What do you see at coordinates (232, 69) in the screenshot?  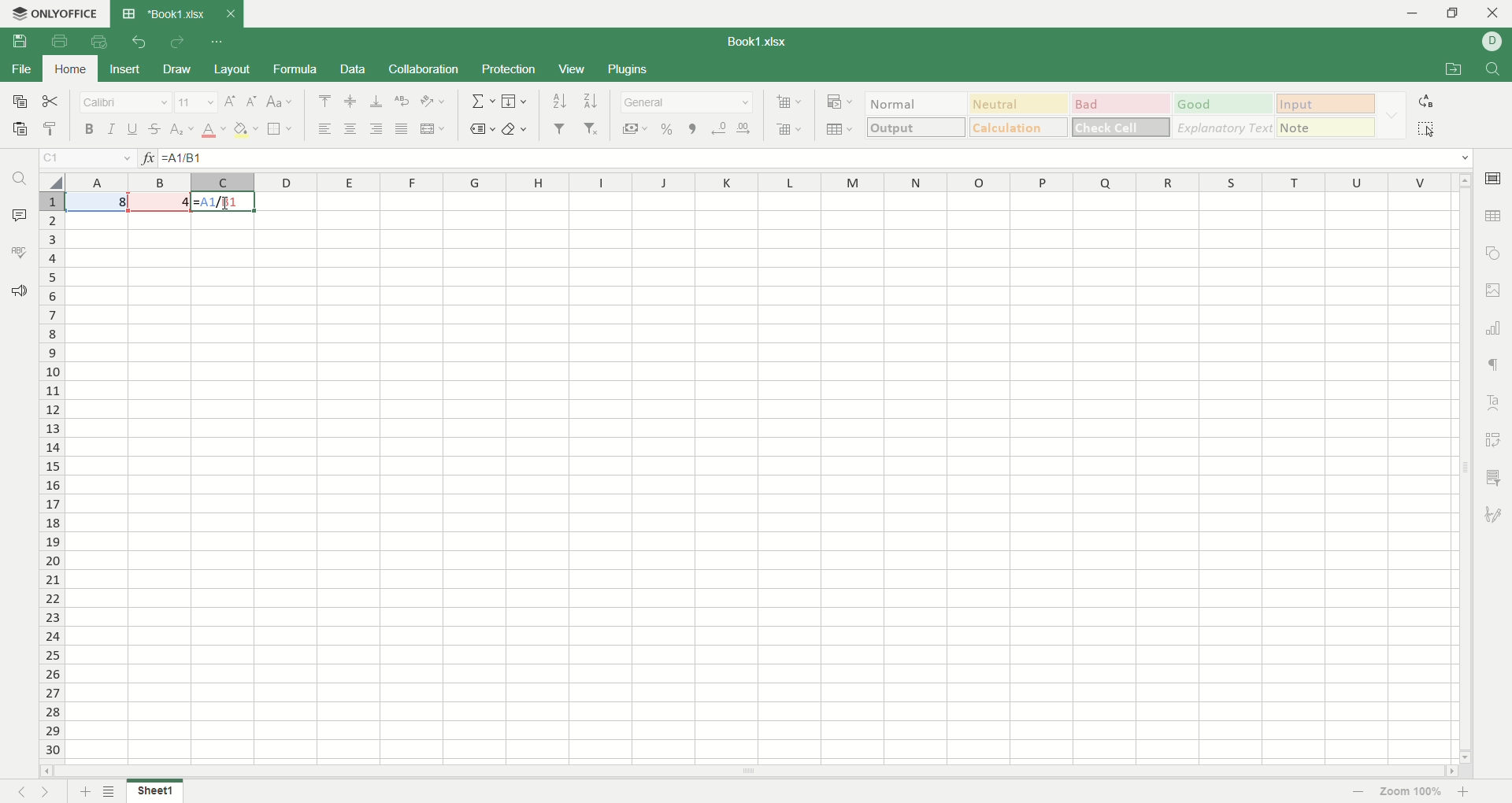 I see `layout` at bounding box center [232, 69].